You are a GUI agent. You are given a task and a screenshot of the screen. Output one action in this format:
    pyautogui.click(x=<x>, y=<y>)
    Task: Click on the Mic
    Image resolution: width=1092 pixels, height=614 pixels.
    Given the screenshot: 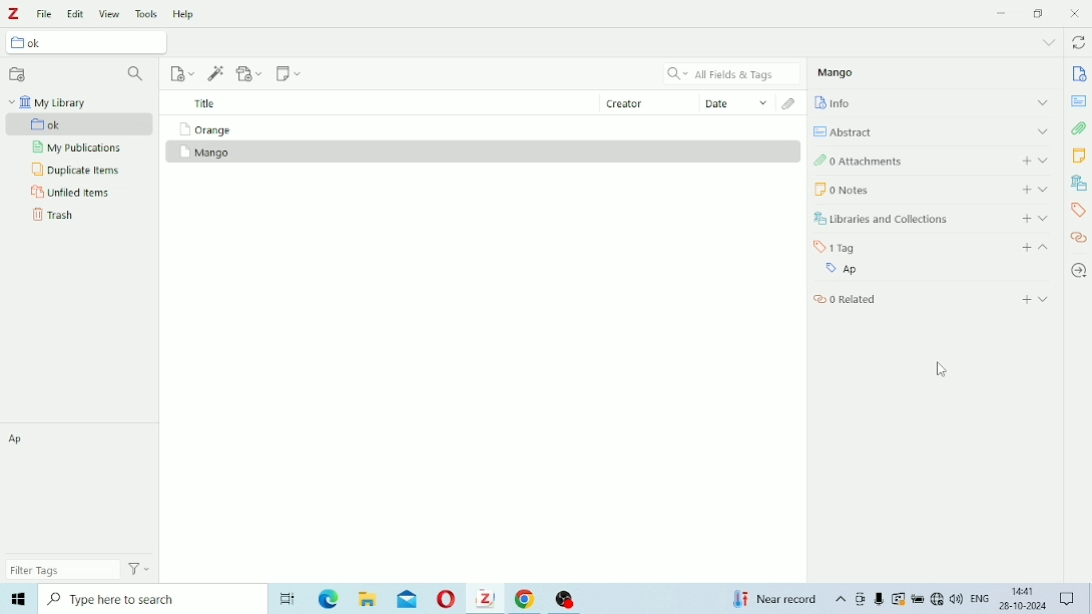 What is the action you would take?
    pyautogui.click(x=879, y=598)
    